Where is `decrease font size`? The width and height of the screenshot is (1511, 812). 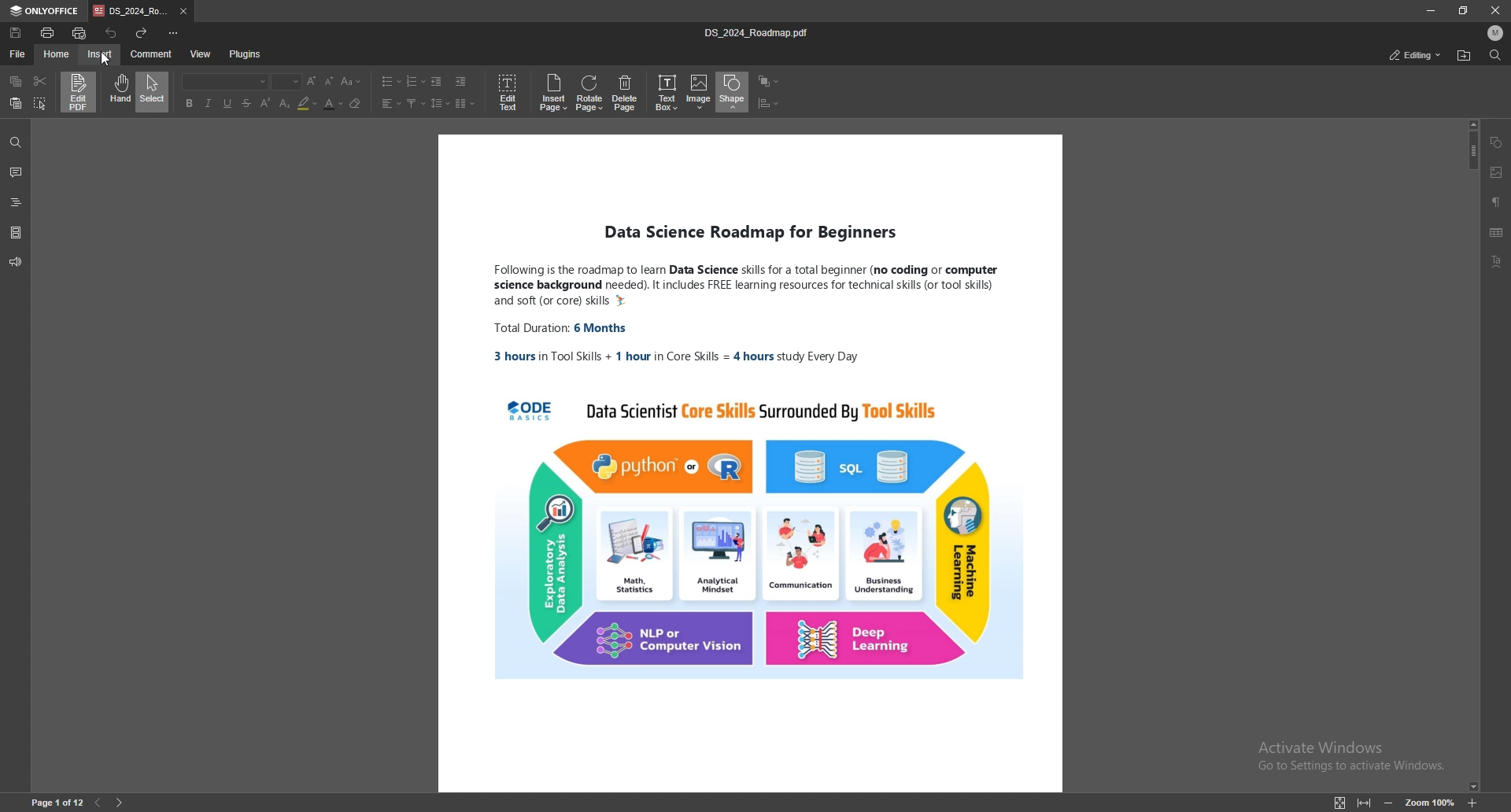 decrease font size is located at coordinates (330, 82).